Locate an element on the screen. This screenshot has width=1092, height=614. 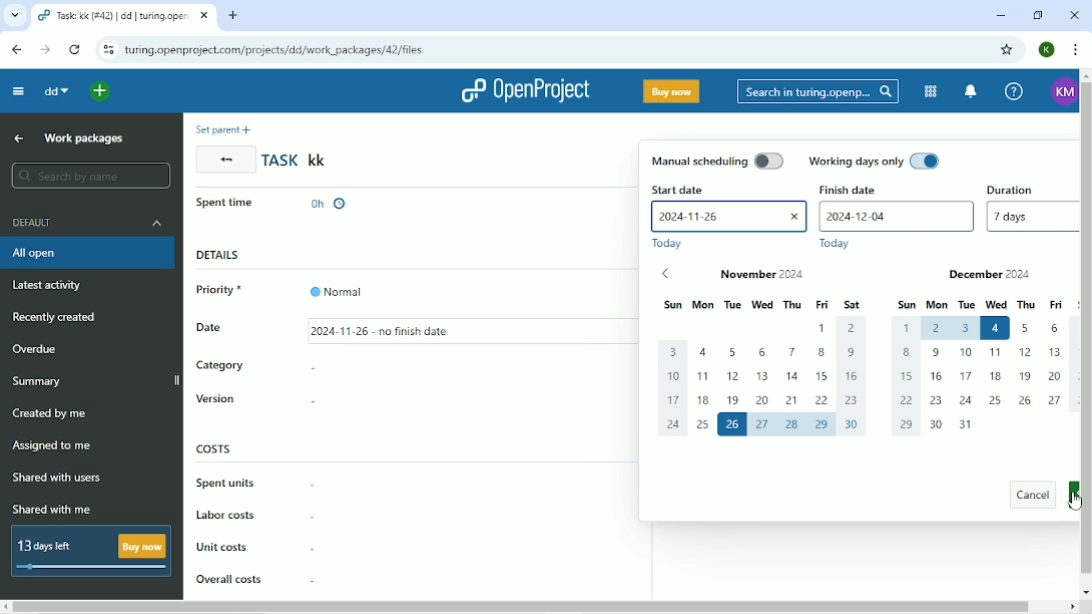
Back is located at coordinates (225, 159).